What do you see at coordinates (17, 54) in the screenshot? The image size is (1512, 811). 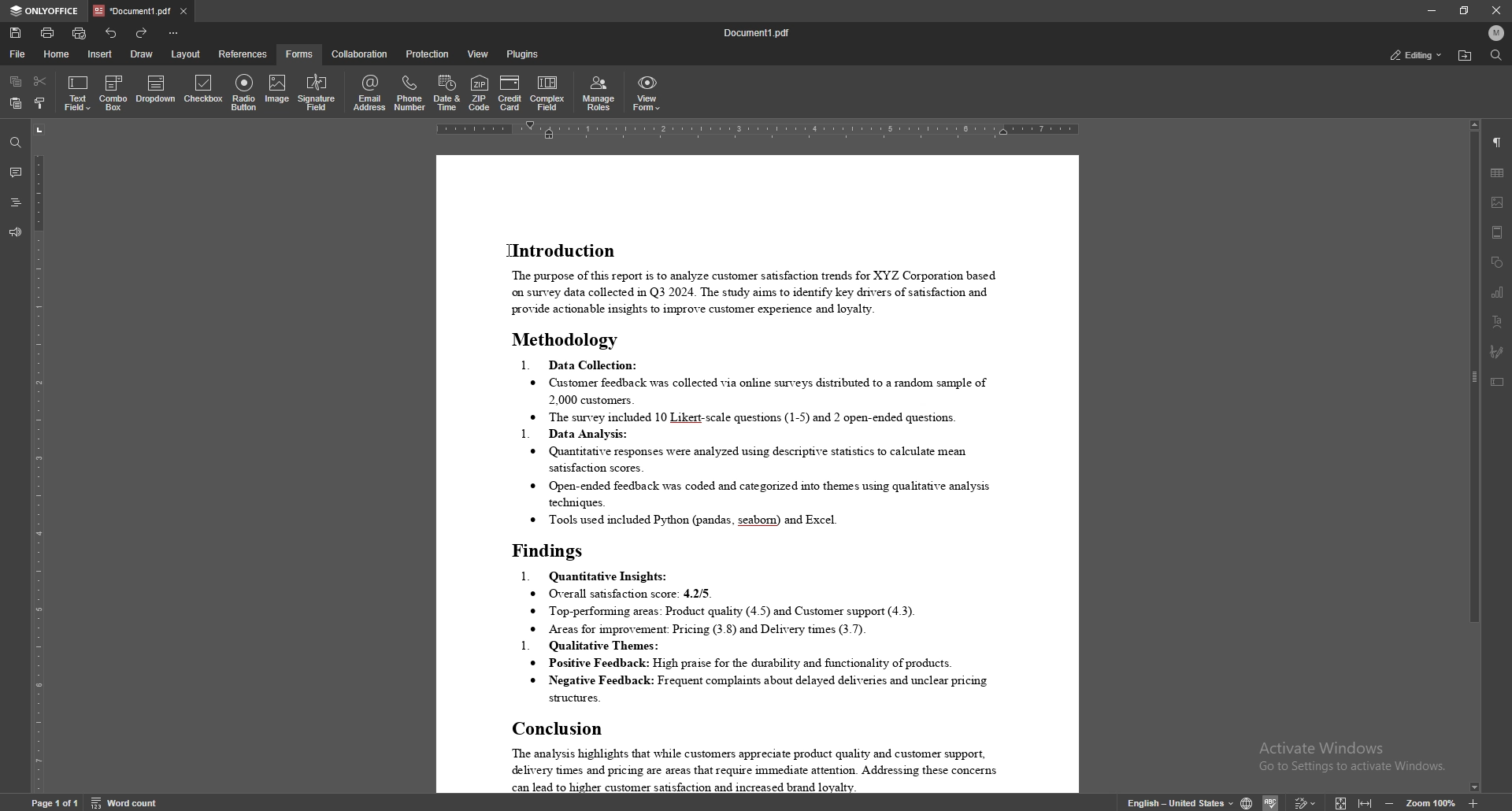 I see `file` at bounding box center [17, 54].